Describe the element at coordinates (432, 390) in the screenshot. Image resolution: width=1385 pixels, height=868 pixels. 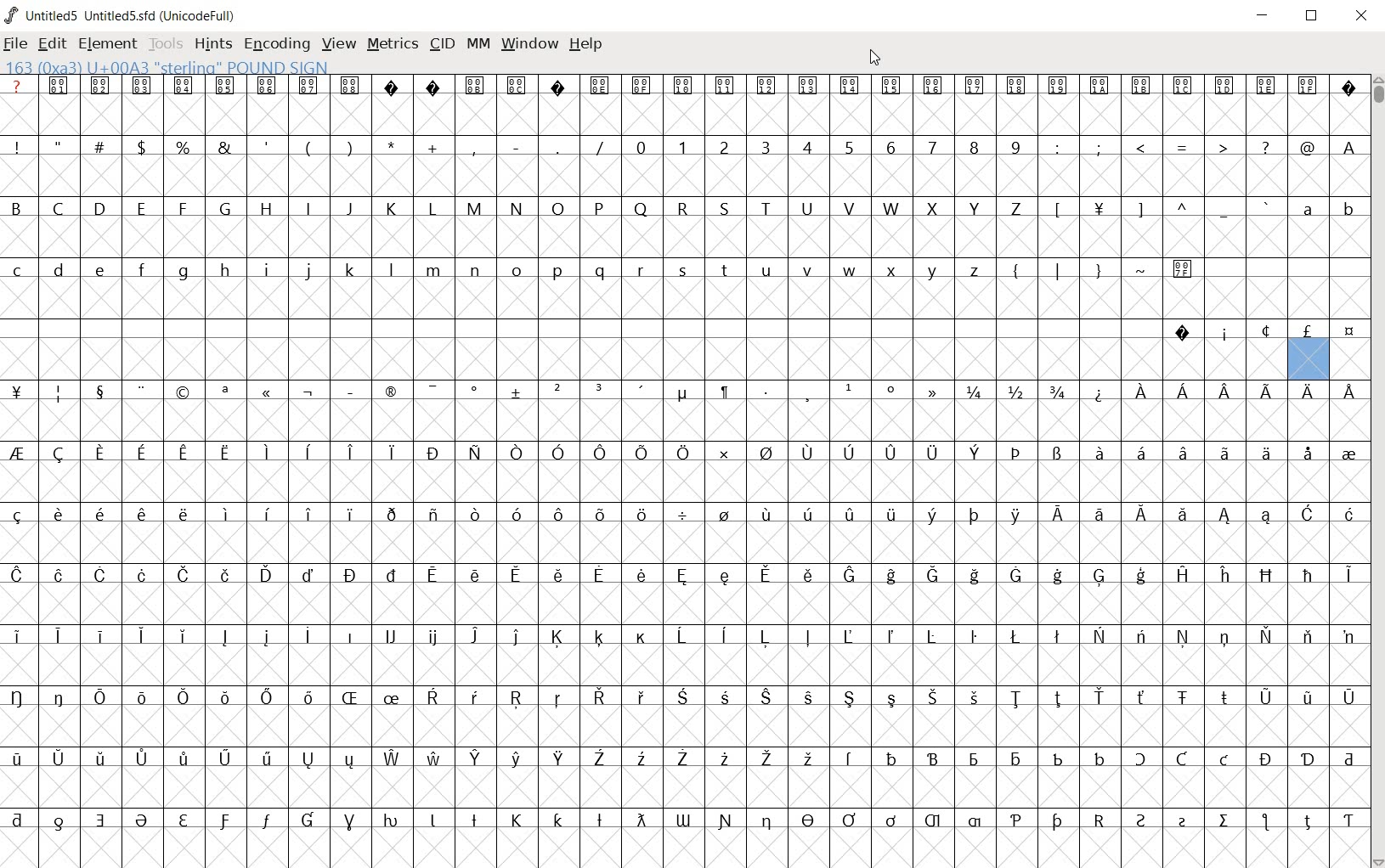
I see `Symbol` at that location.